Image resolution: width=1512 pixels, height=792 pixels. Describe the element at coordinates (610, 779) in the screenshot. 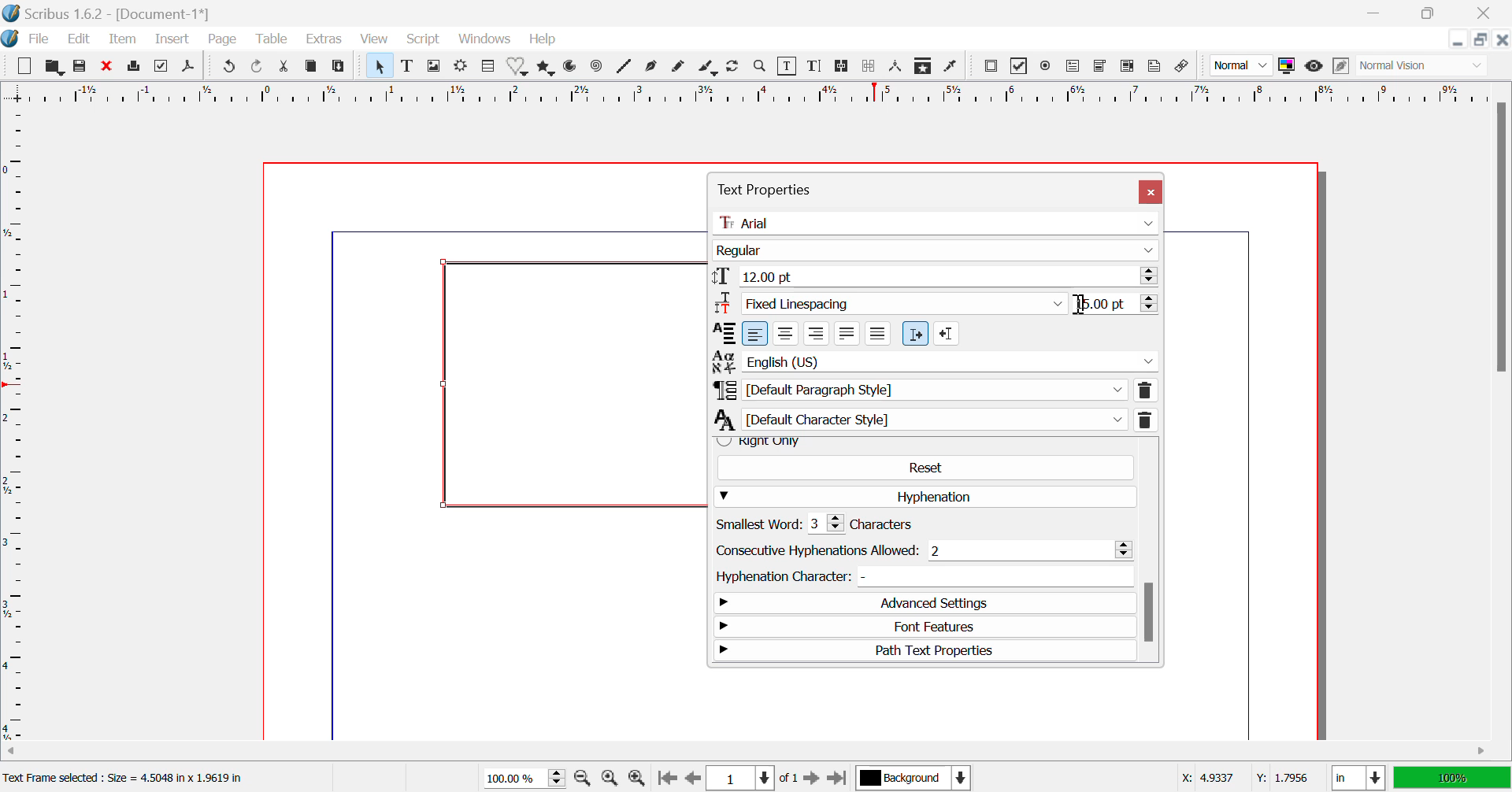

I see `Zoom to 100%` at that location.